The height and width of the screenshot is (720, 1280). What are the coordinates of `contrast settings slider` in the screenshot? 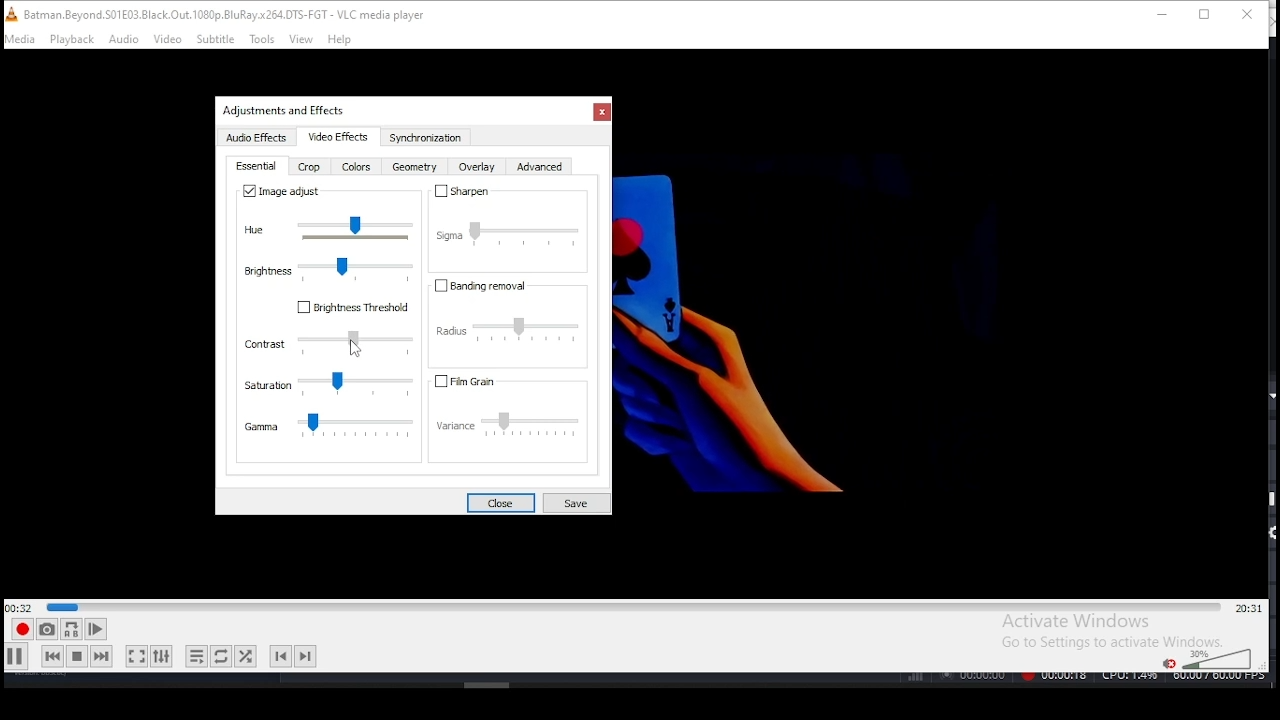 It's located at (330, 344).